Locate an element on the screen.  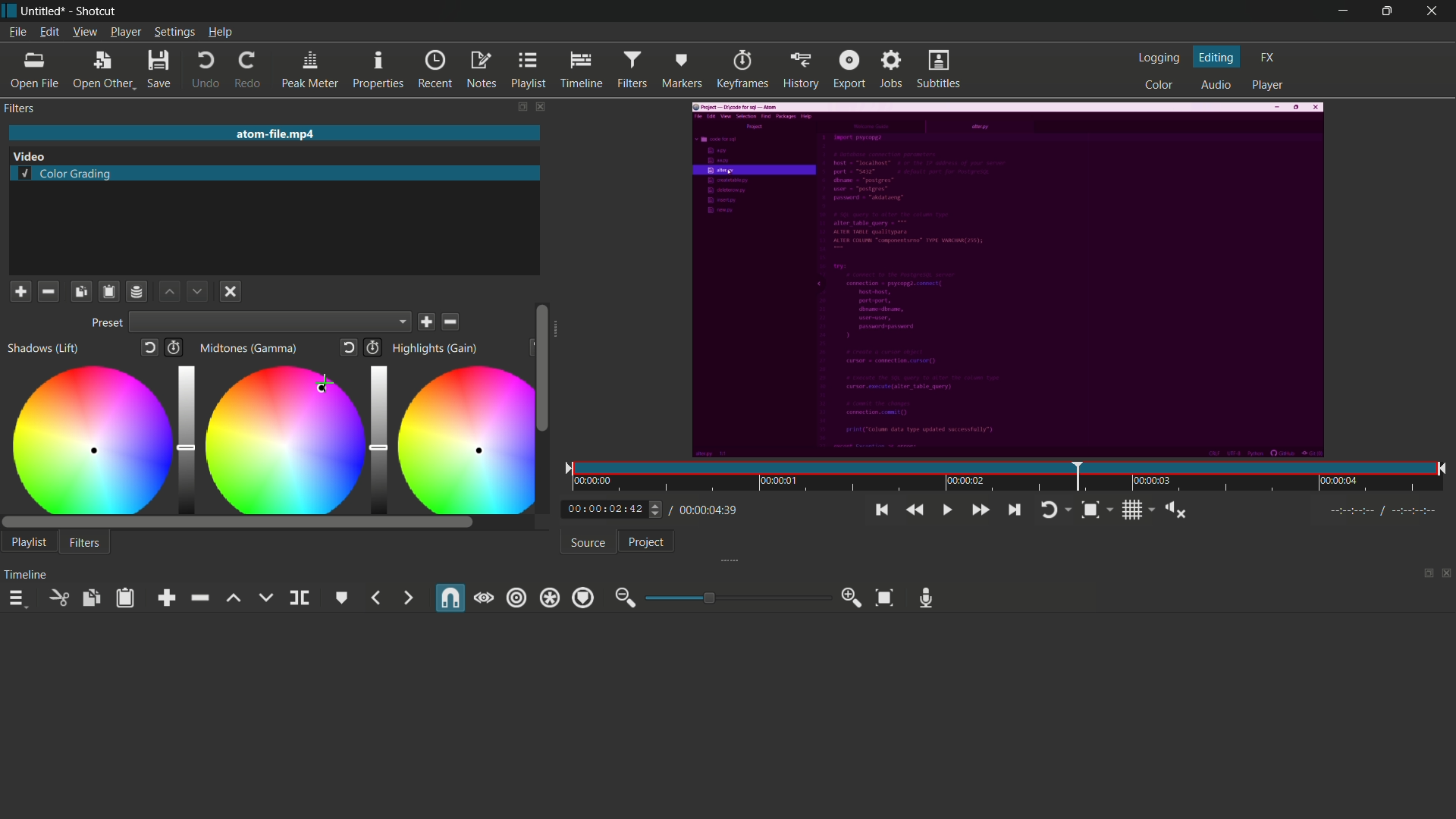
edit menu is located at coordinates (49, 31).